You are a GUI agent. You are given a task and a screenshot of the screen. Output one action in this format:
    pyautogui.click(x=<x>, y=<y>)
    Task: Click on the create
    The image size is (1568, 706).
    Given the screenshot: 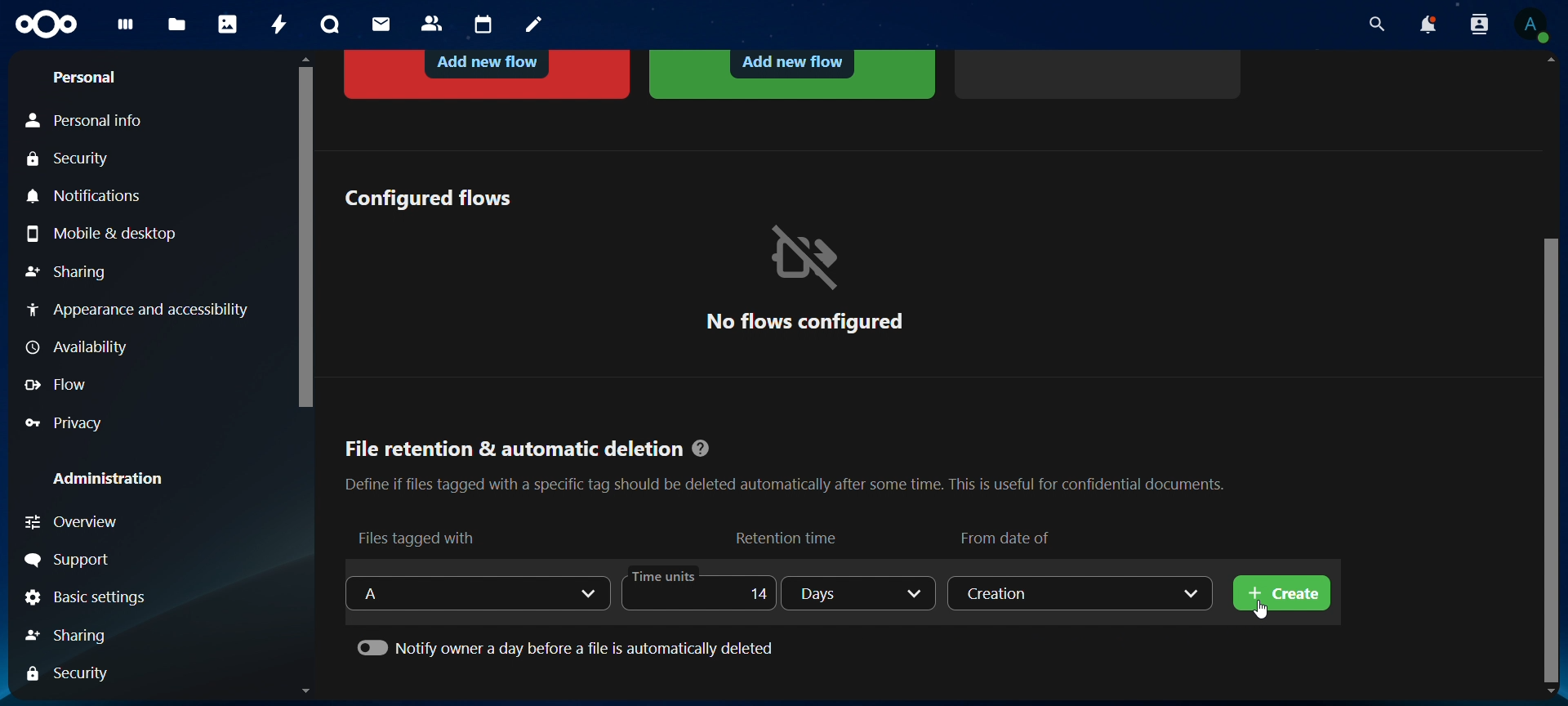 What is the action you would take?
    pyautogui.click(x=1283, y=592)
    